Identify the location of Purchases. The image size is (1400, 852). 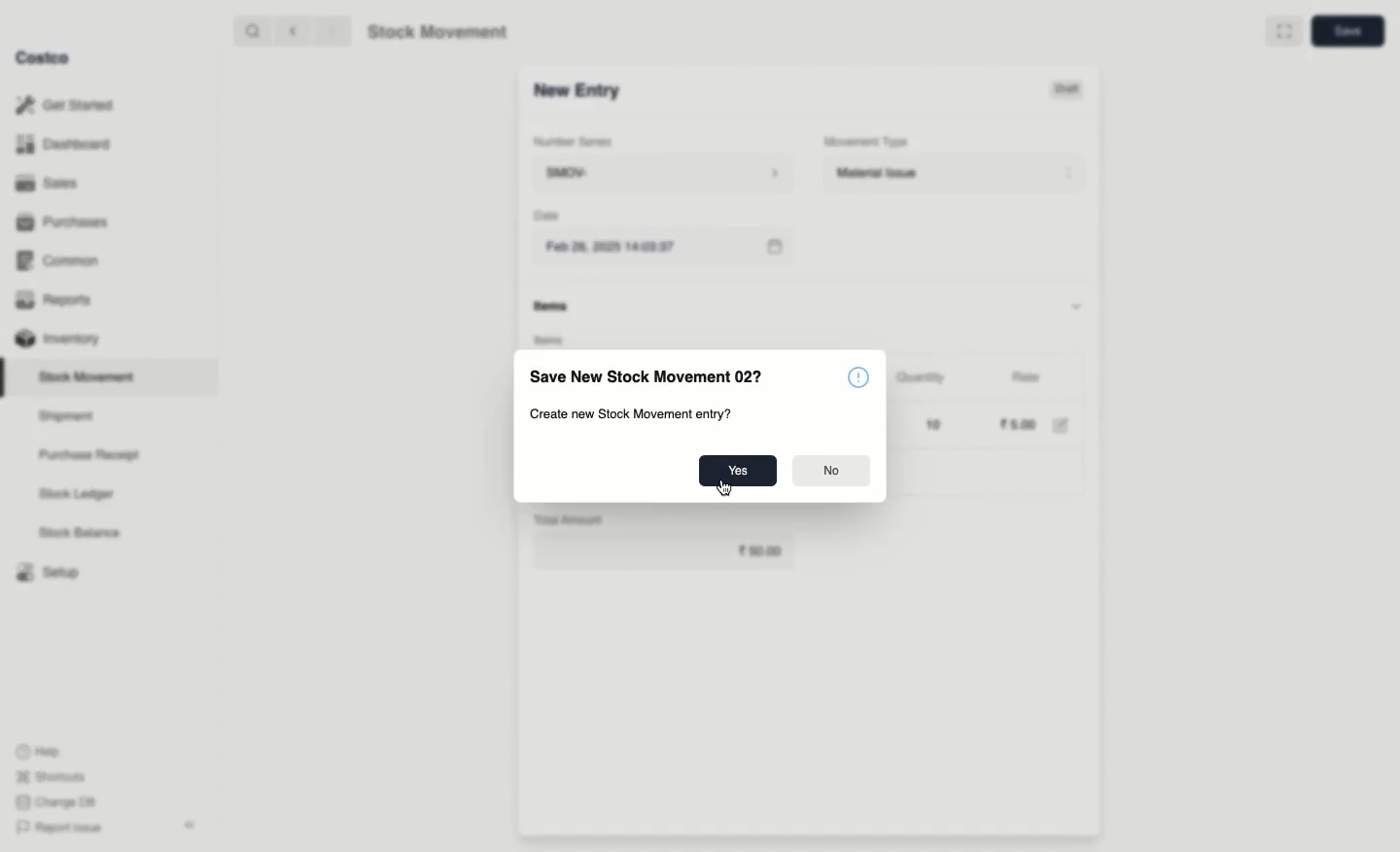
(66, 224).